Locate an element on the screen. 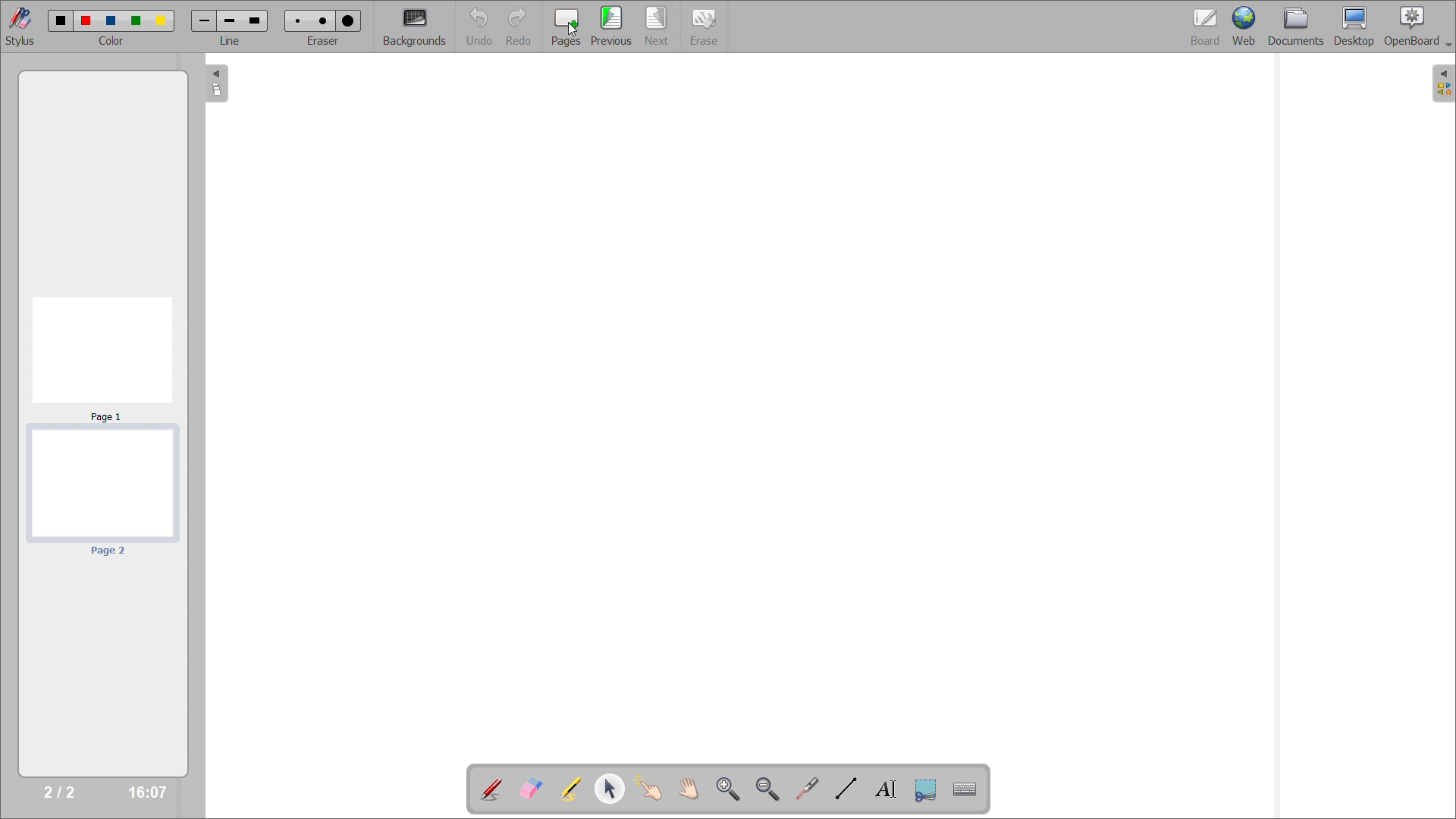 This screenshot has width=1456, height=819. write text is located at coordinates (886, 789).